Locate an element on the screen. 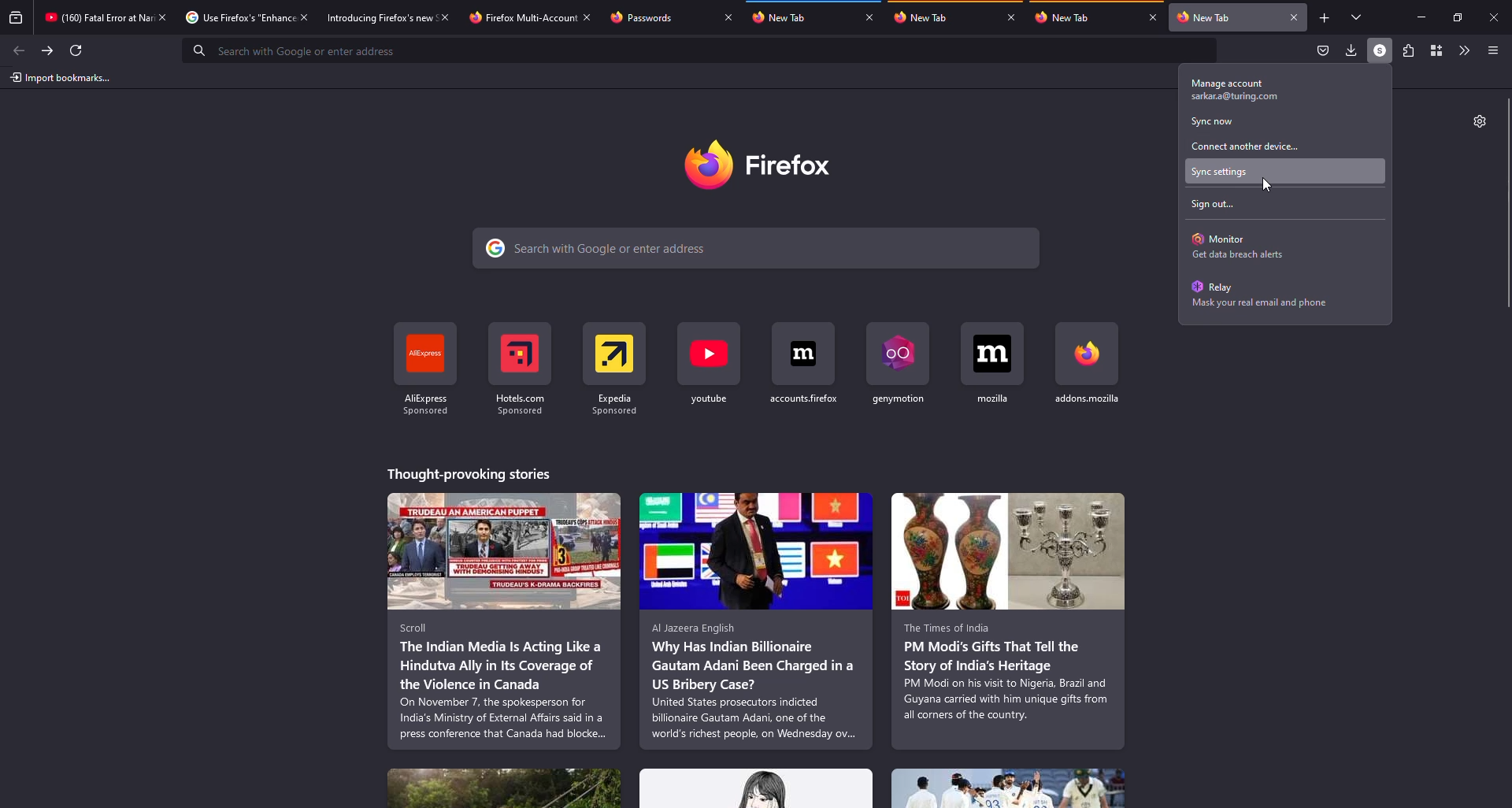 The height and width of the screenshot is (808, 1512). more tools is located at coordinates (1463, 49).